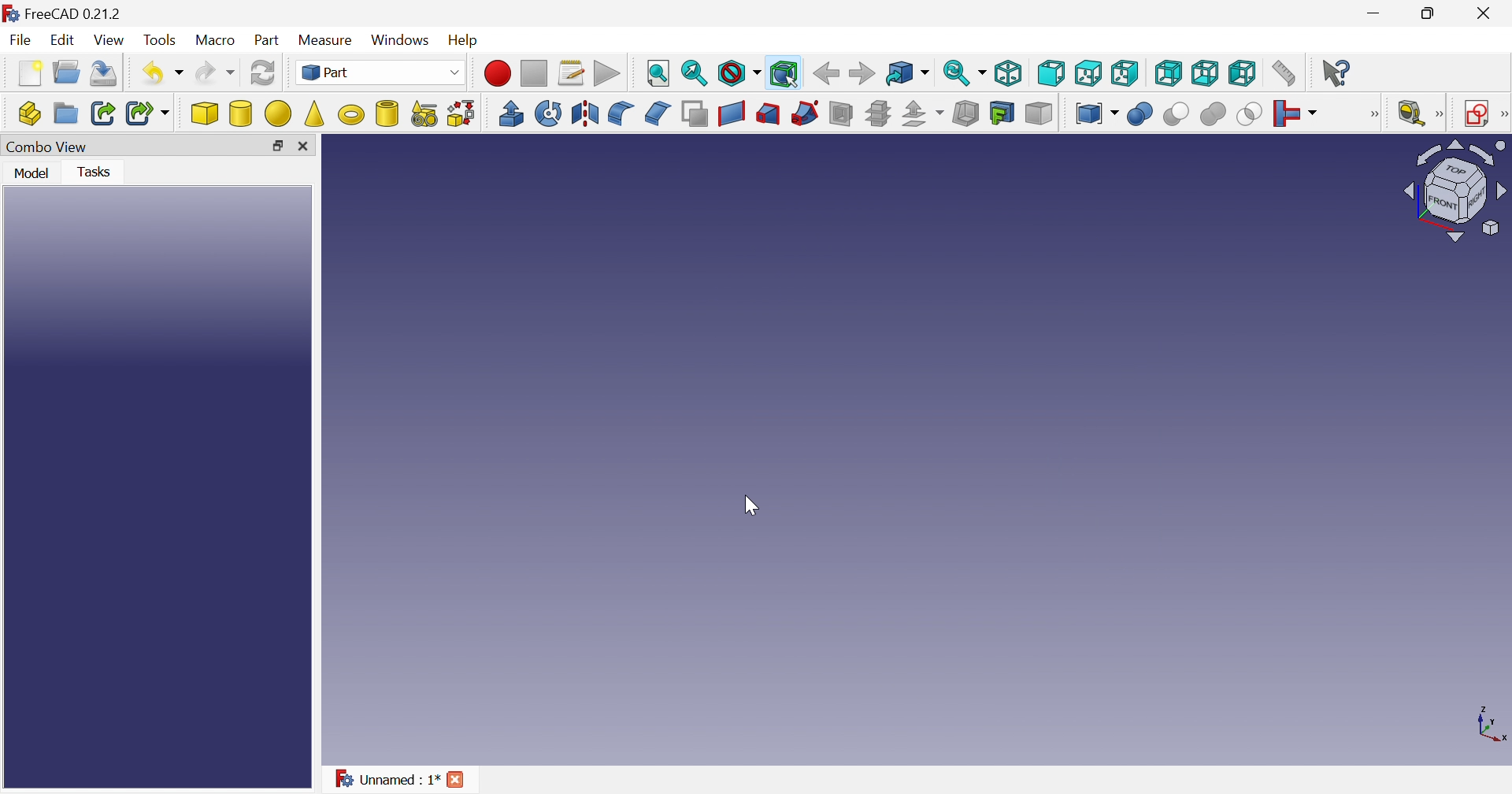  I want to click on Refresh, so click(263, 76).